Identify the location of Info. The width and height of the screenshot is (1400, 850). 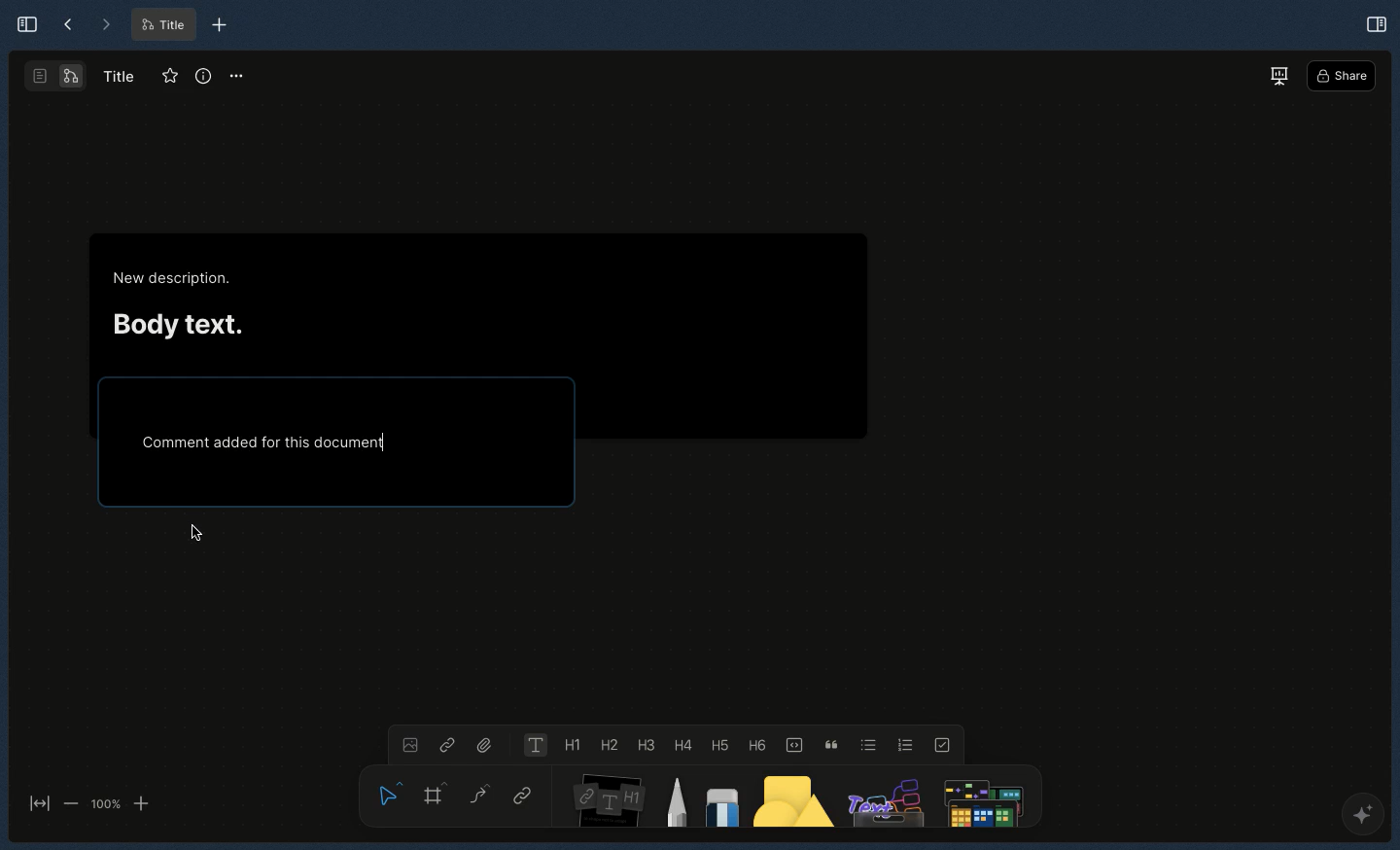
(203, 77).